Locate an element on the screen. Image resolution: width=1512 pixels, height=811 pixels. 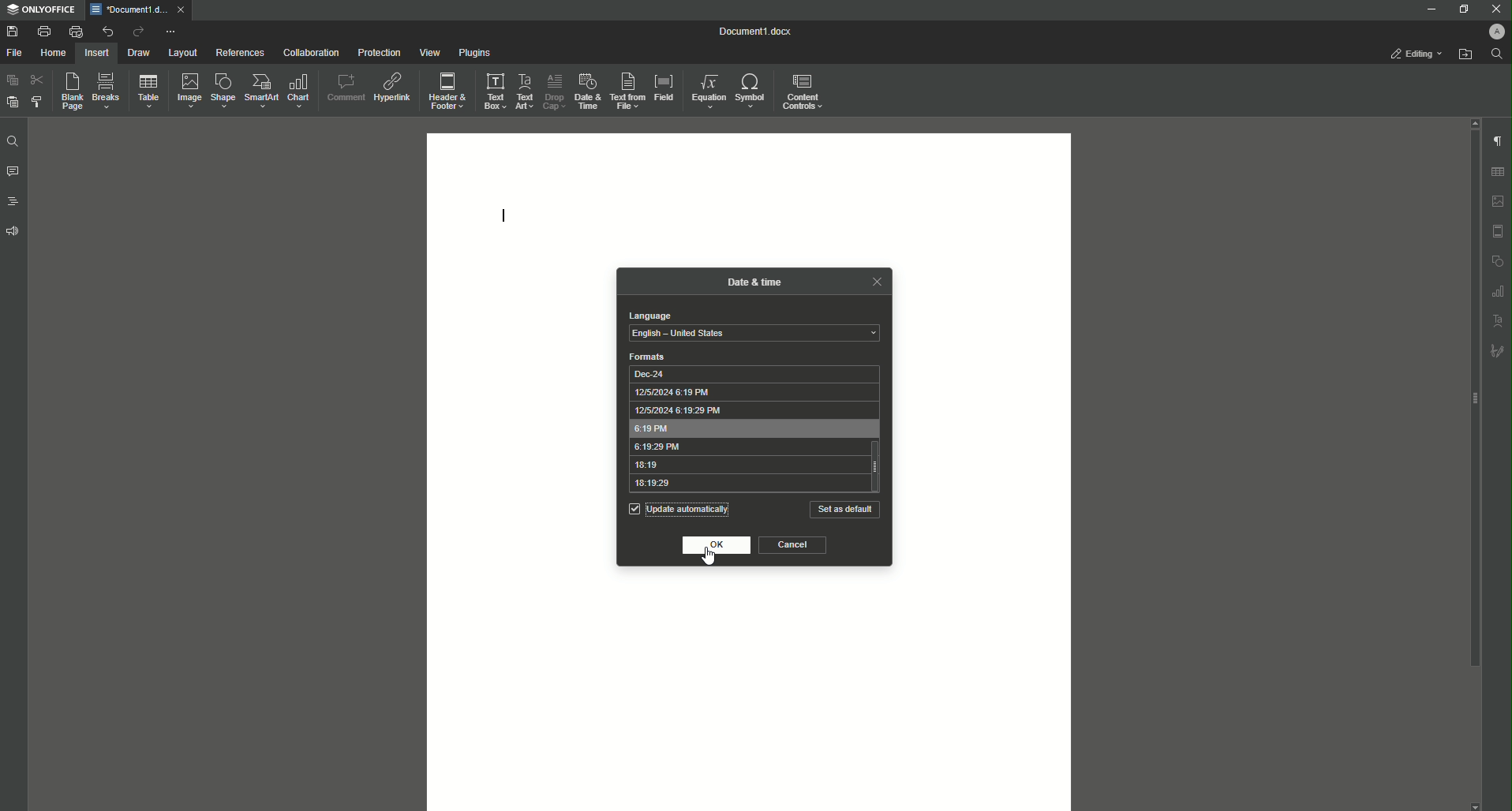
Text Art is located at coordinates (526, 89).